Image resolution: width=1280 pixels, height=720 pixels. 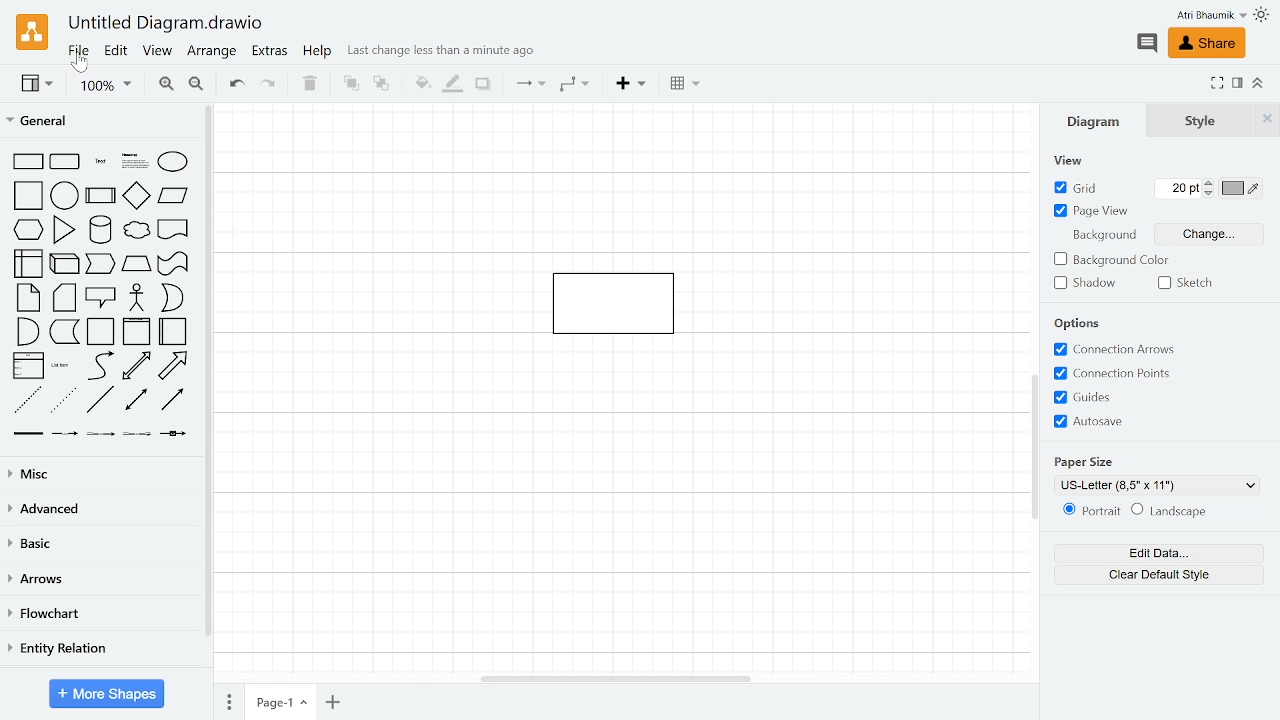 What do you see at coordinates (451, 84) in the screenshot?
I see `Fill line` at bounding box center [451, 84].